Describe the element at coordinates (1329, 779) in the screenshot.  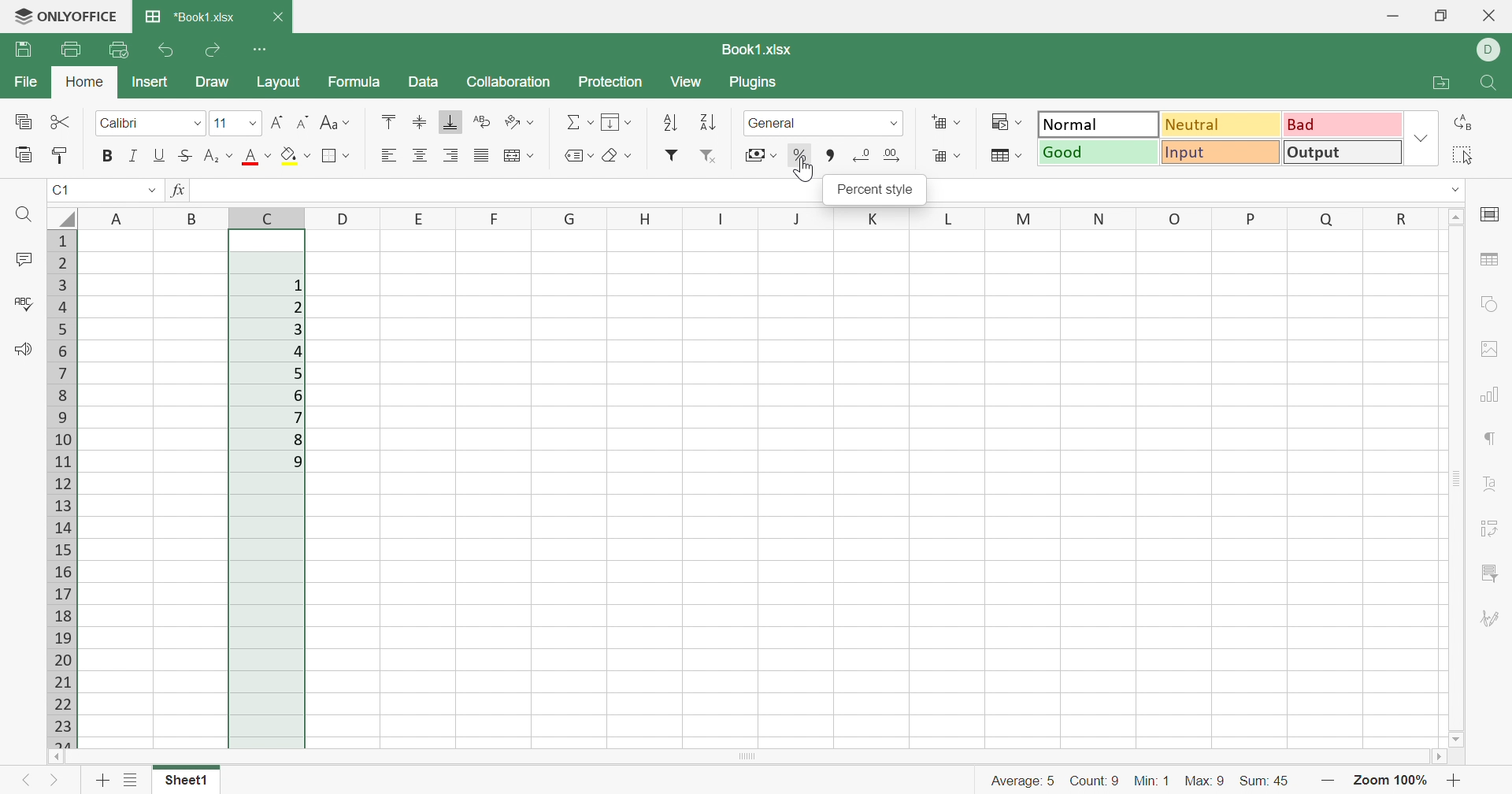
I see `Zoom in` at that location.